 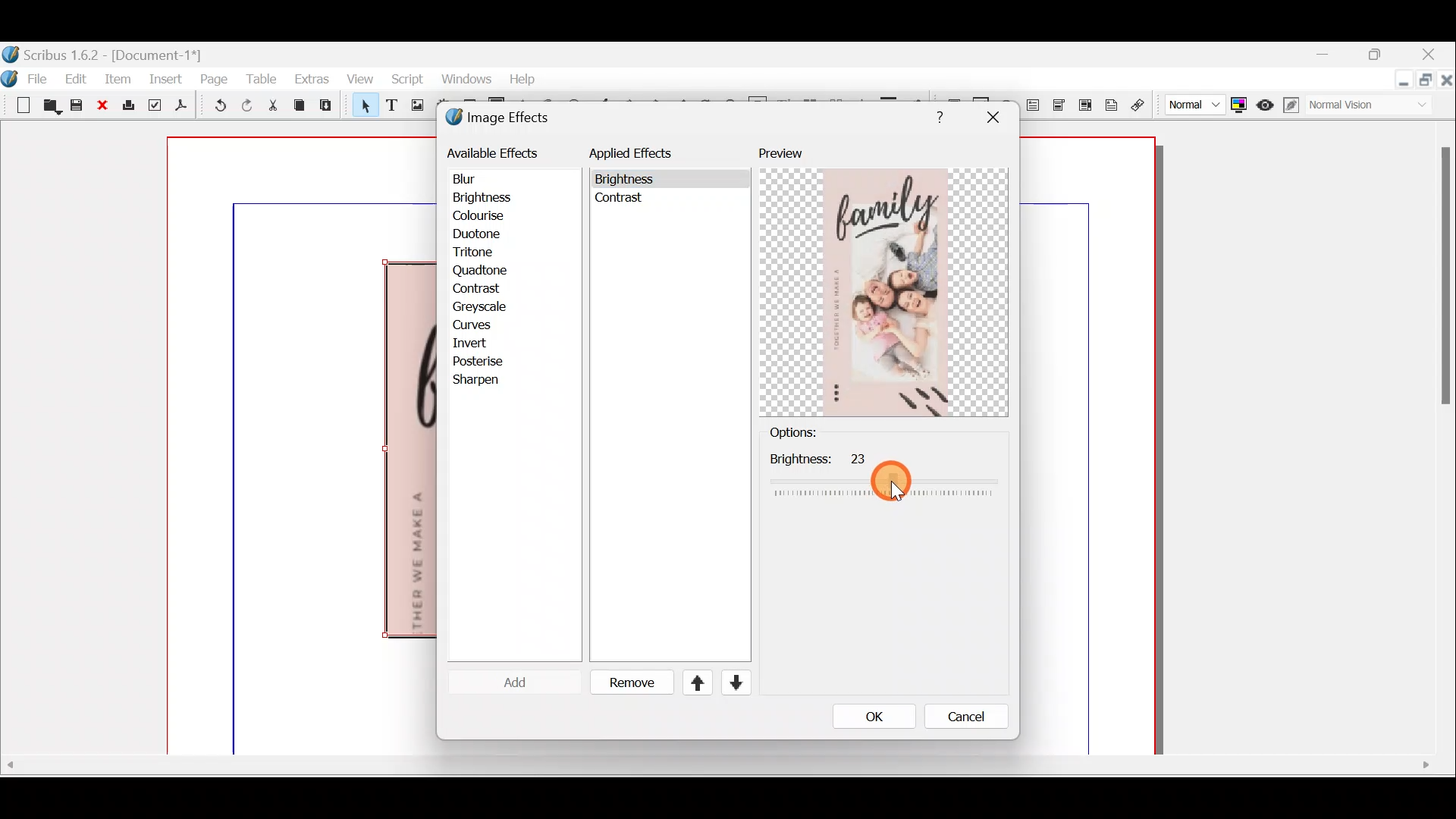 What do you see at coordinates (1086, 103) in the screenshot?
I see `PDF List box` at bounding box center [1086, 103].